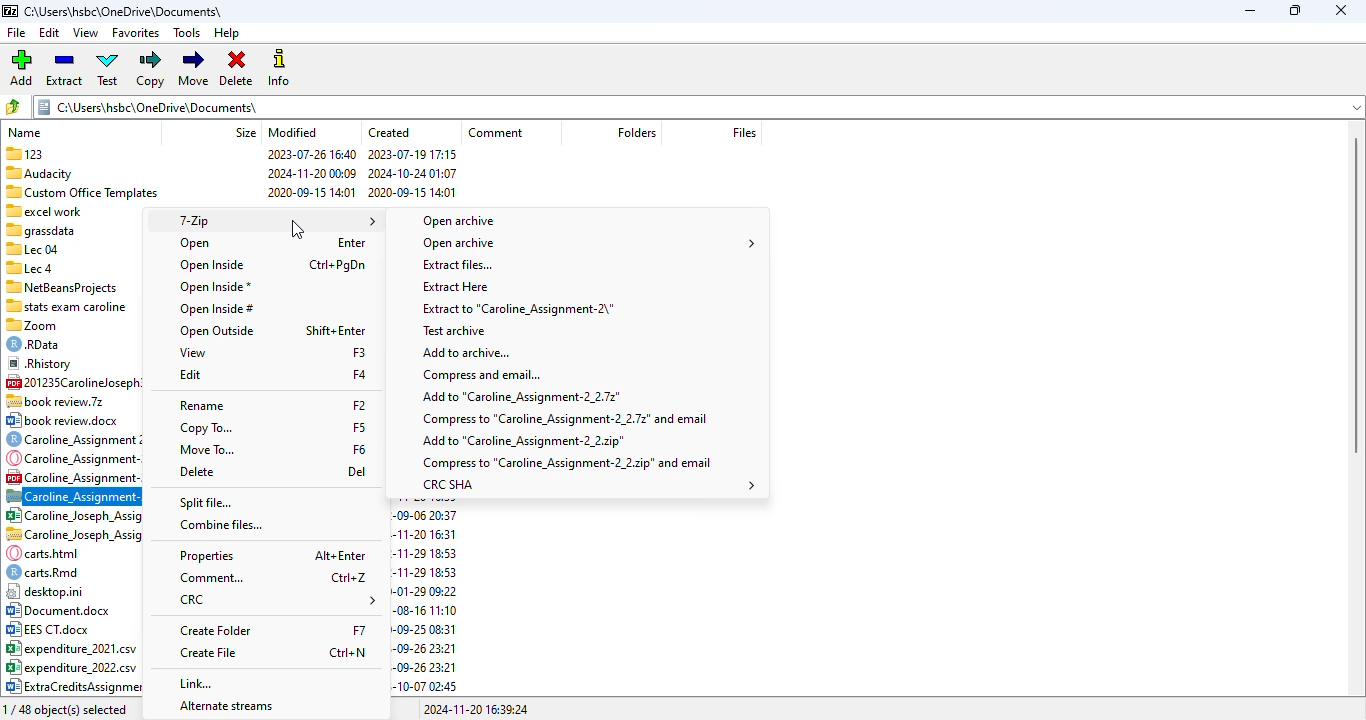  What do you see at coordinates (351, 242) in the screenshot?
I see `shortcut for open` at bounding box center [351, 242].